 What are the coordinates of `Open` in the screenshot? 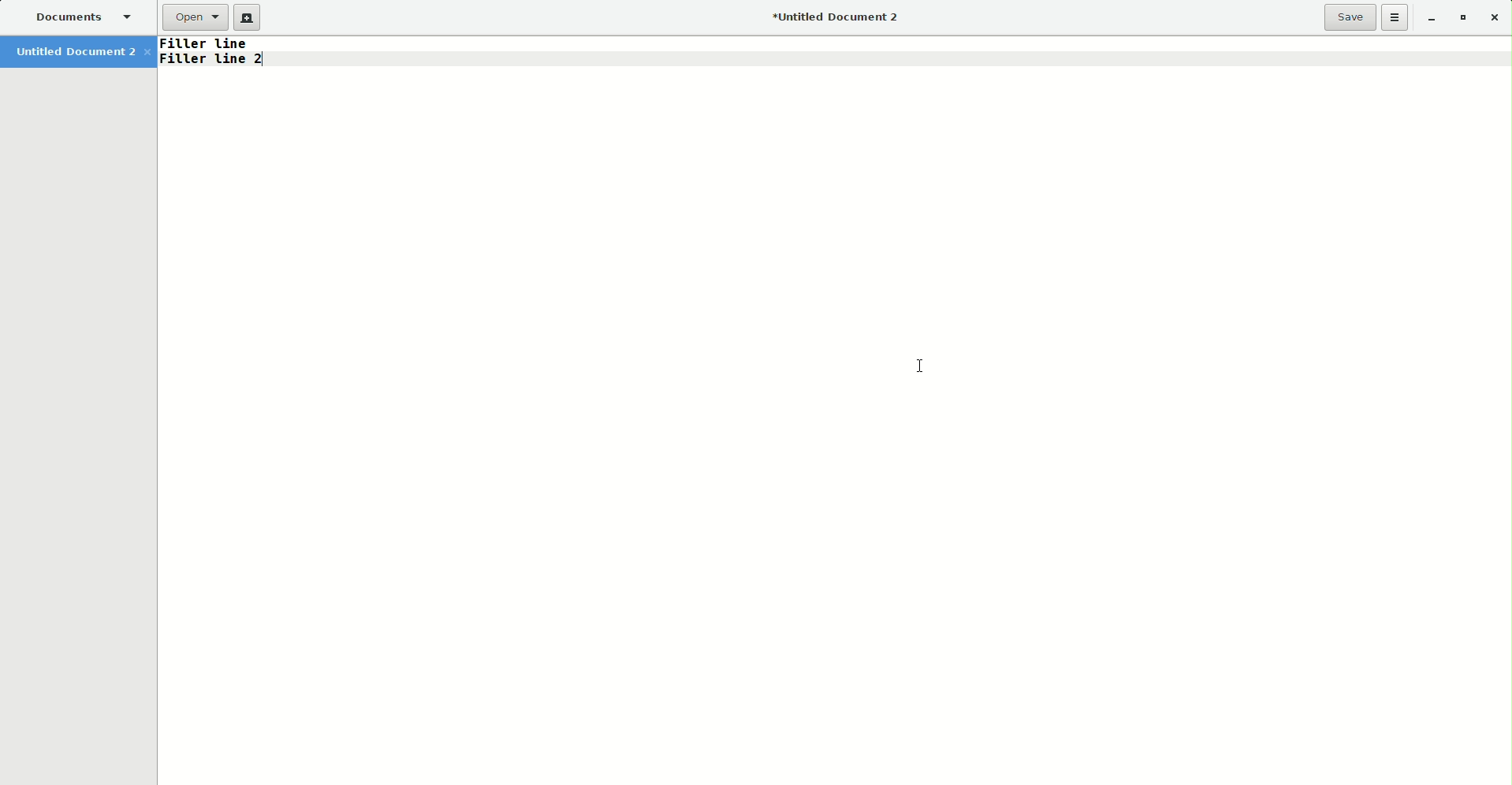 It's located at (193, 17).